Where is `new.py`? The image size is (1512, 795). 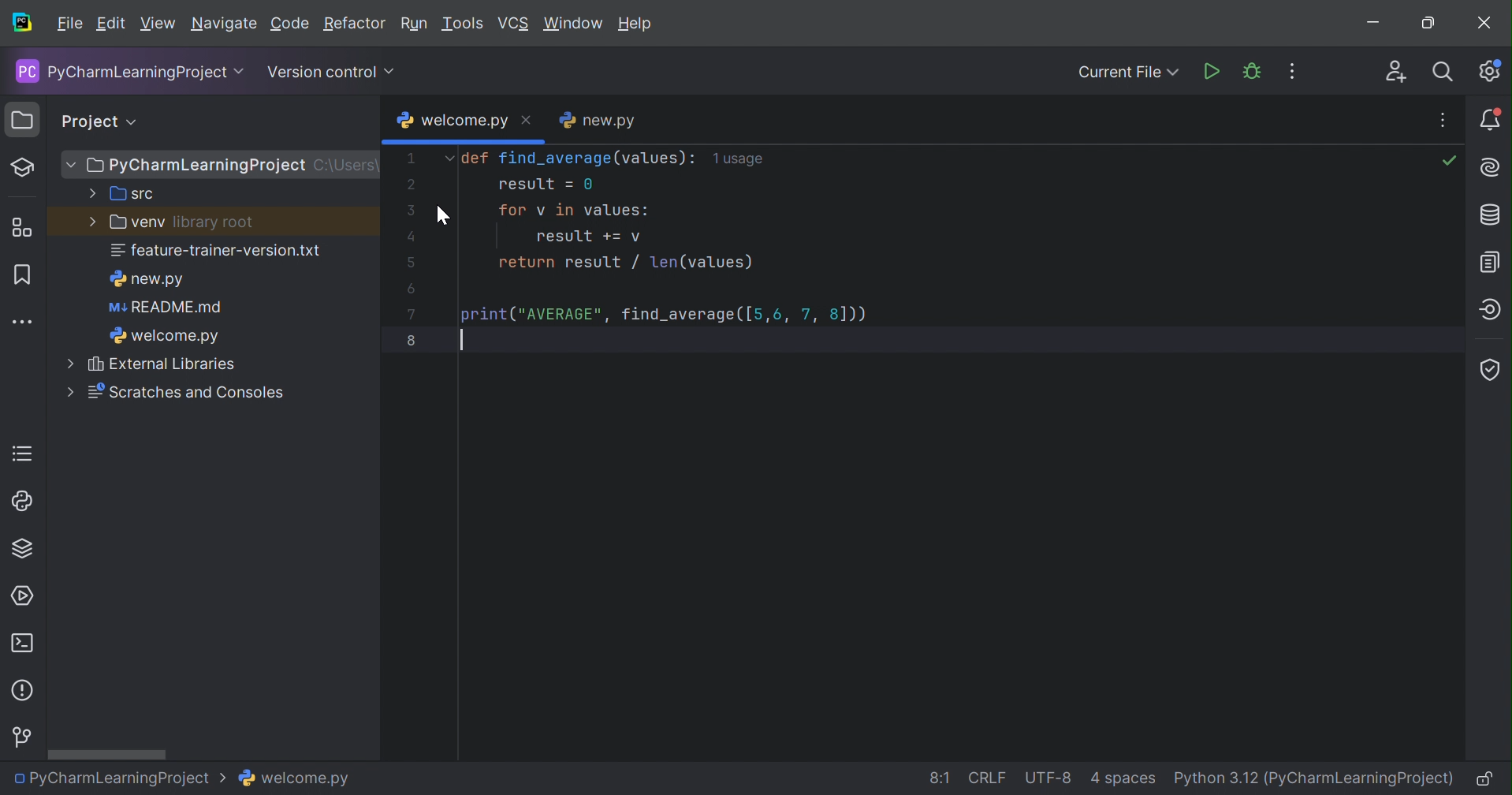
new.py is located at coordinates (151, 281).